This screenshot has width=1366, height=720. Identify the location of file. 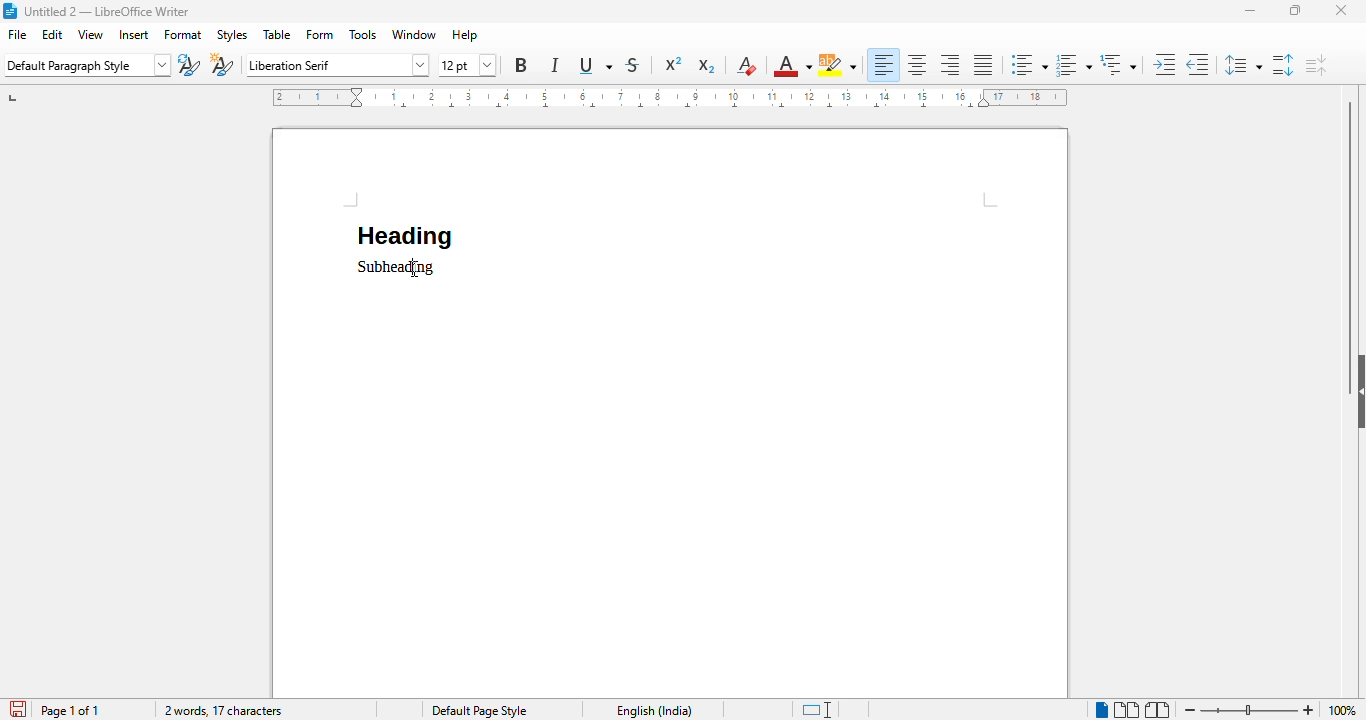
(17, 34).